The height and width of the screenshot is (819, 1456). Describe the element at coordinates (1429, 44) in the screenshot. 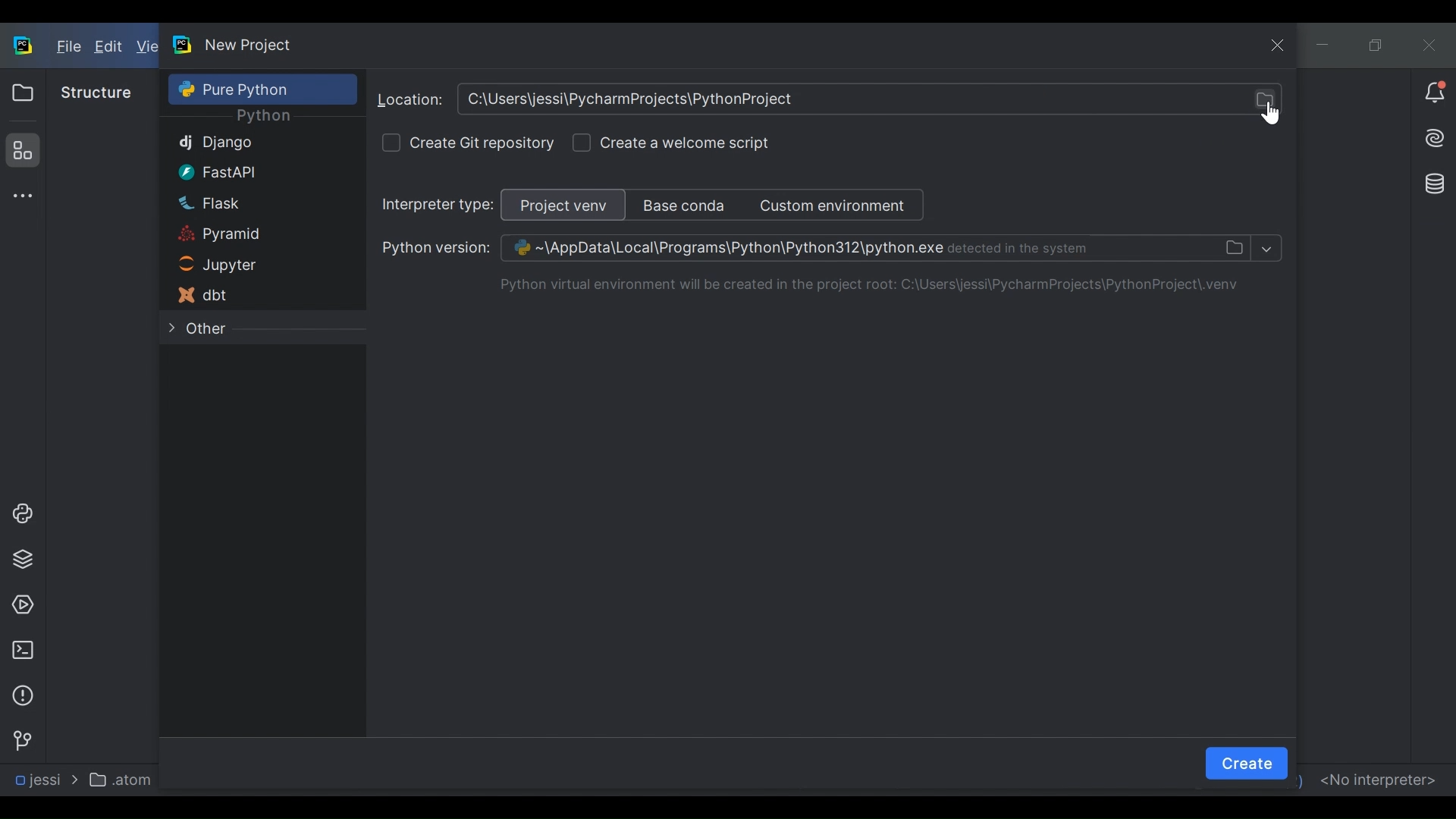

I see `Close` at that location.